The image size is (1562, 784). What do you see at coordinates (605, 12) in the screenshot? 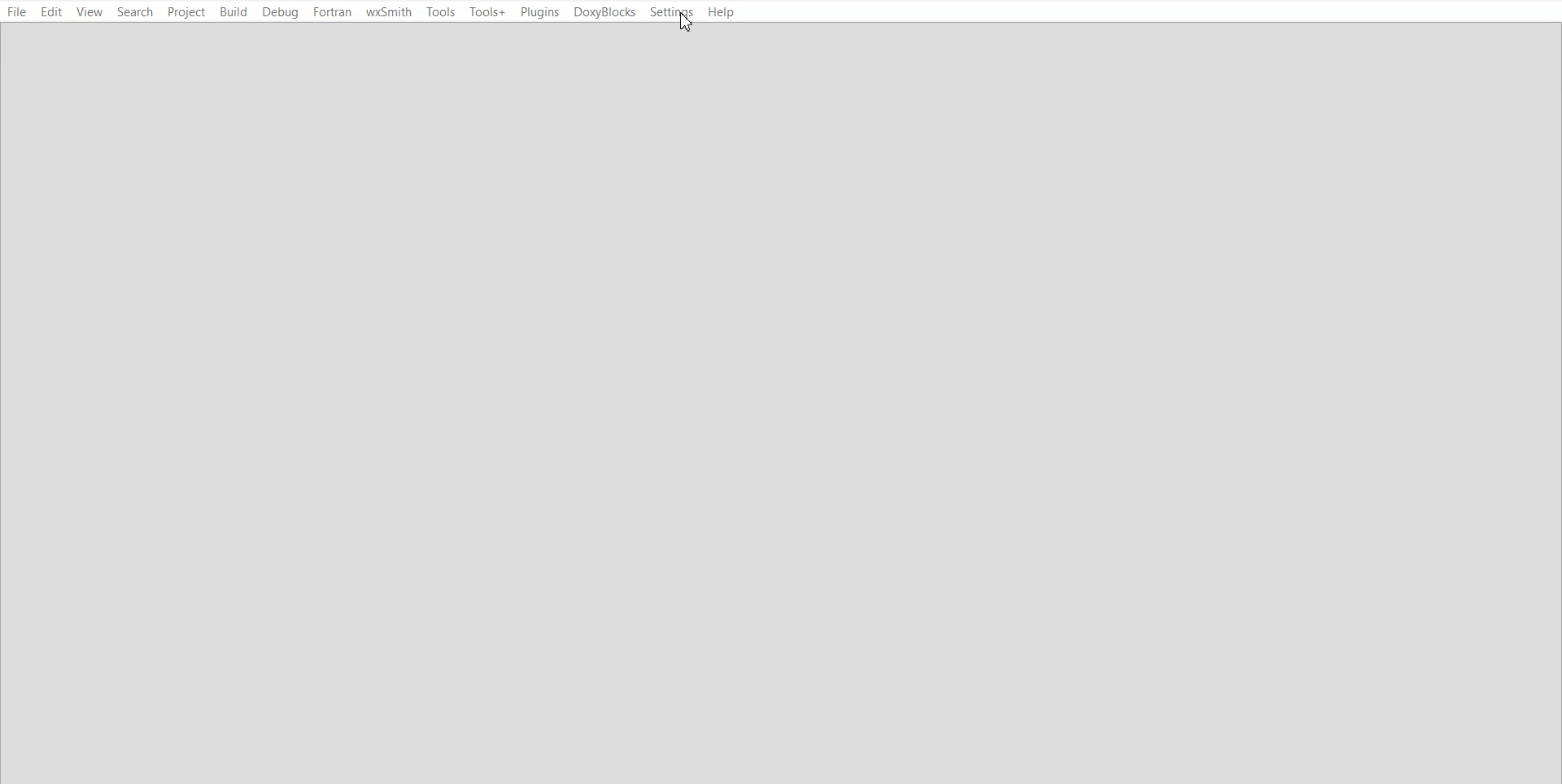
I see `DoxyBlocks` at bounding box center [605, 12].